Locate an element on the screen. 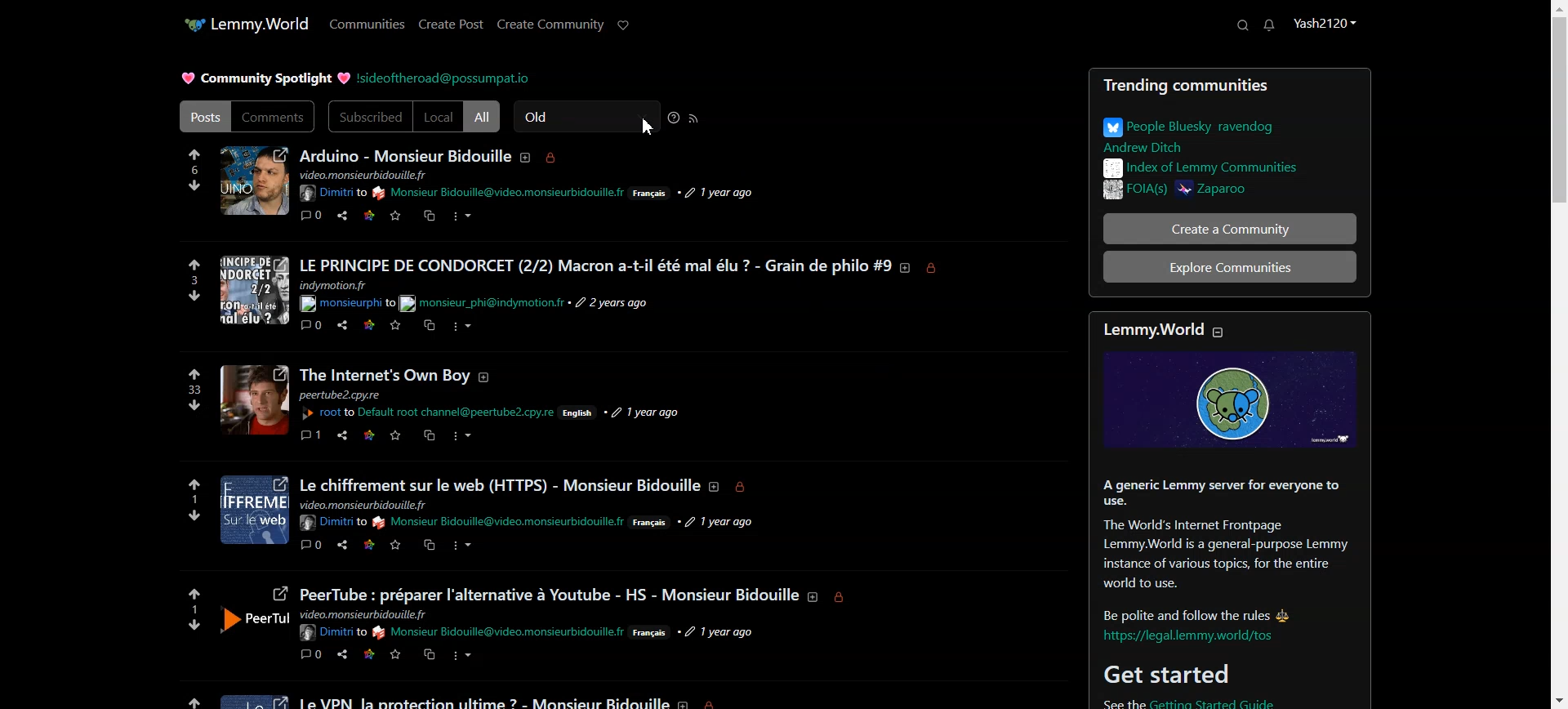   is located at coordinates (256, 511).